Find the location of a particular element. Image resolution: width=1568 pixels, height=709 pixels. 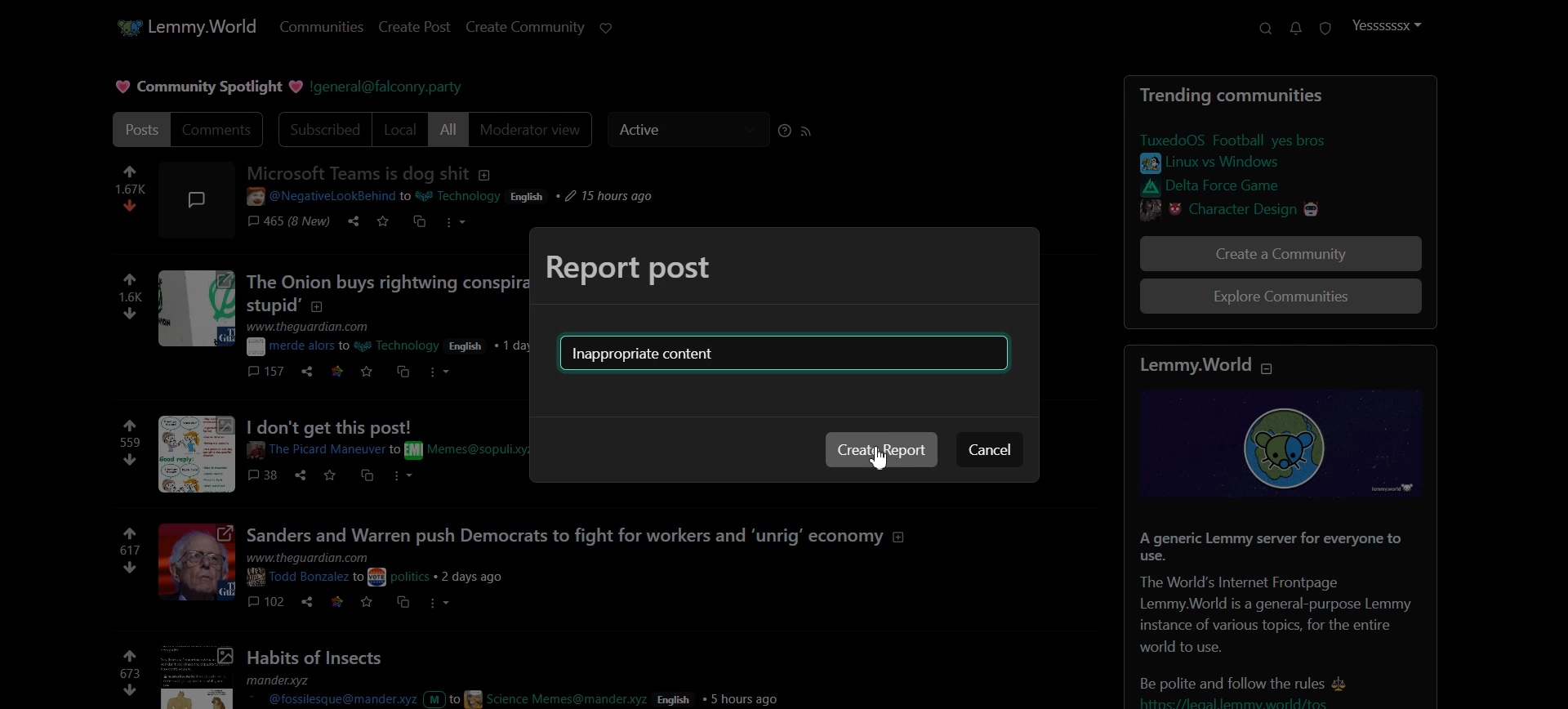

numbers is located at coordinates (131, 442).